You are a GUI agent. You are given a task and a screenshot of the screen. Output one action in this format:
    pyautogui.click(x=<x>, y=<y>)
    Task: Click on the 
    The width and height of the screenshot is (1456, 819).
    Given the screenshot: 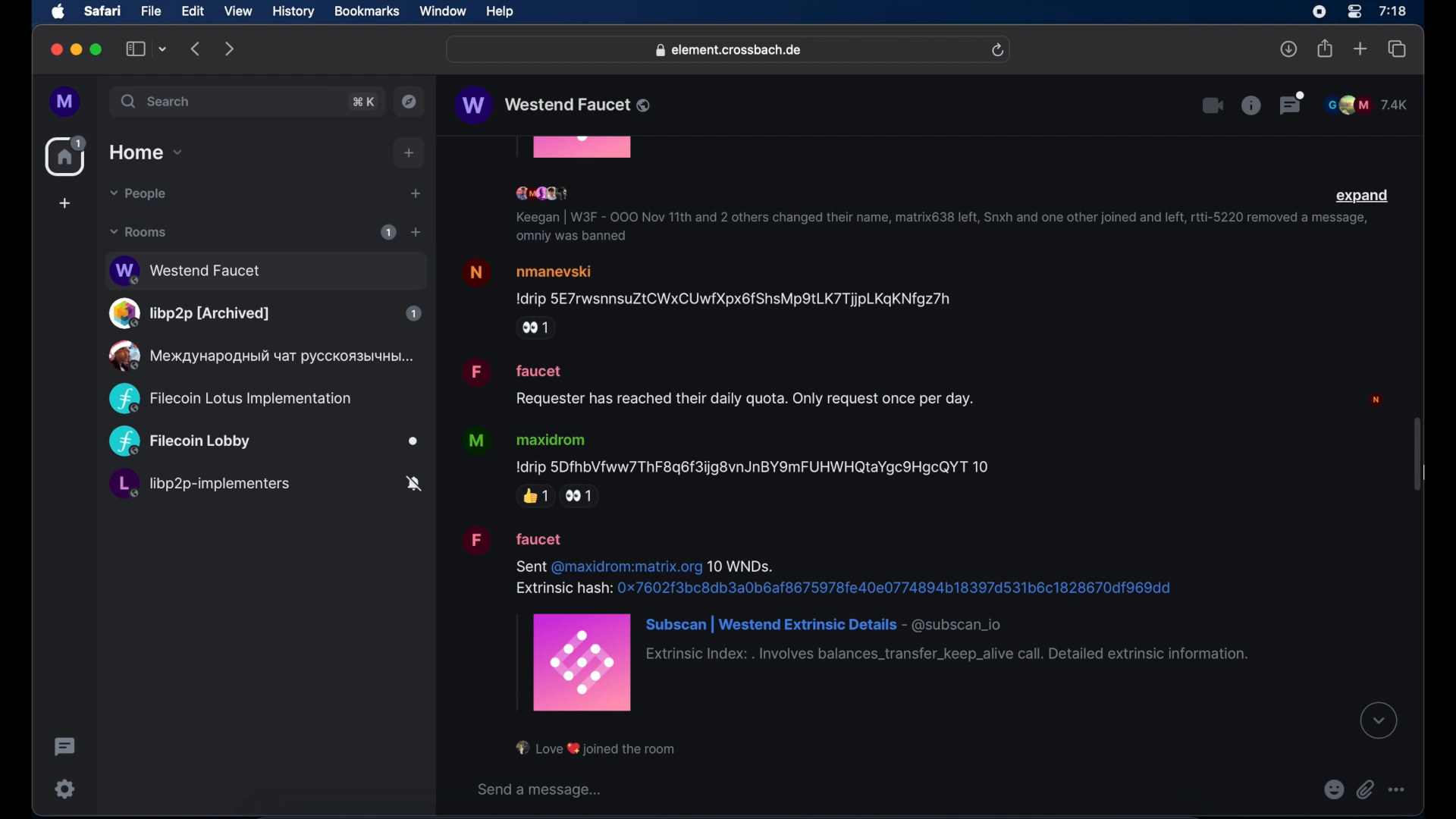 What is the action you would take?
    pyautogui.click(x=140, y=194)
    